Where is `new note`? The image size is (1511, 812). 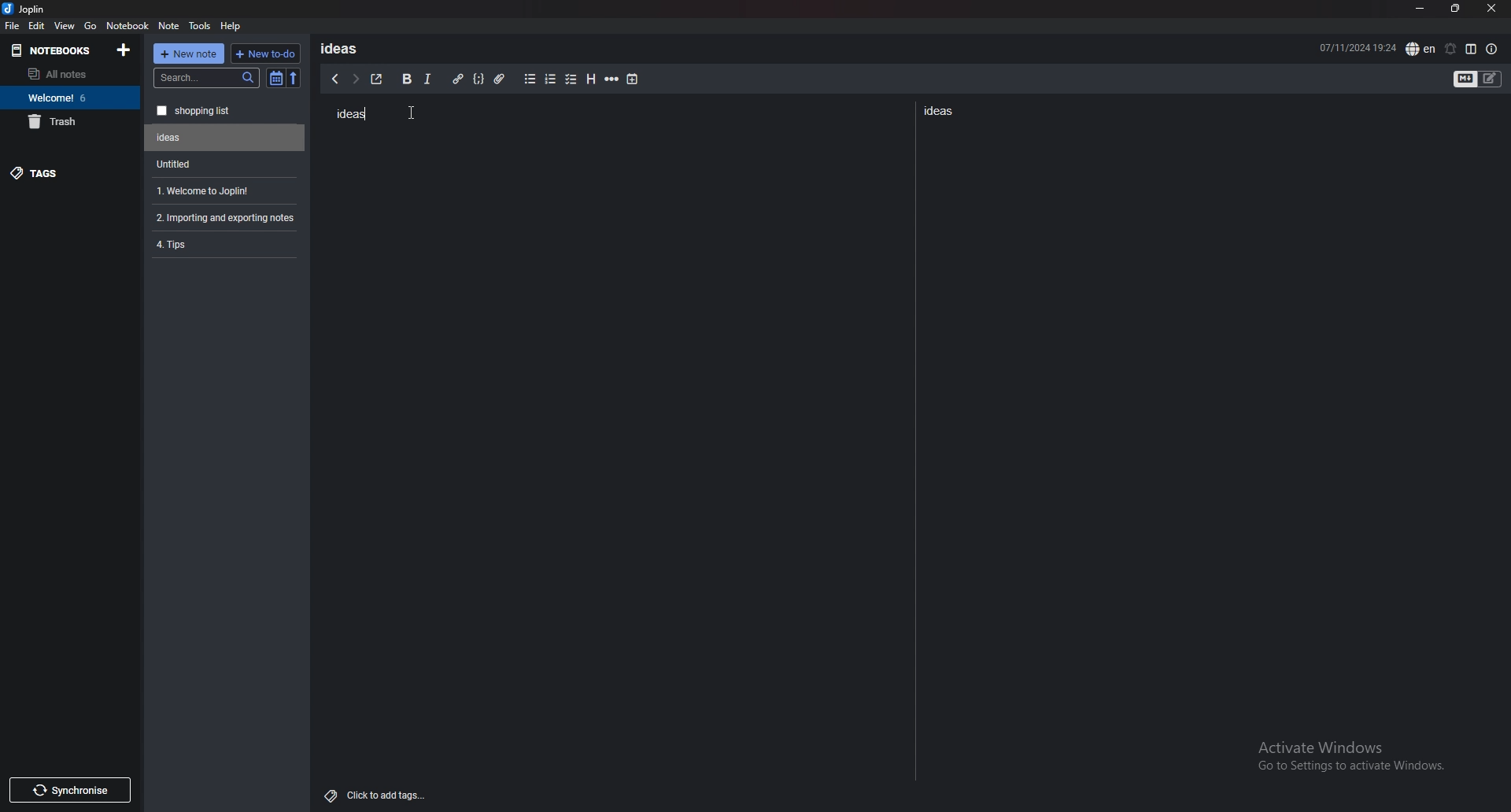 new note is located at coordinates (189, 54).